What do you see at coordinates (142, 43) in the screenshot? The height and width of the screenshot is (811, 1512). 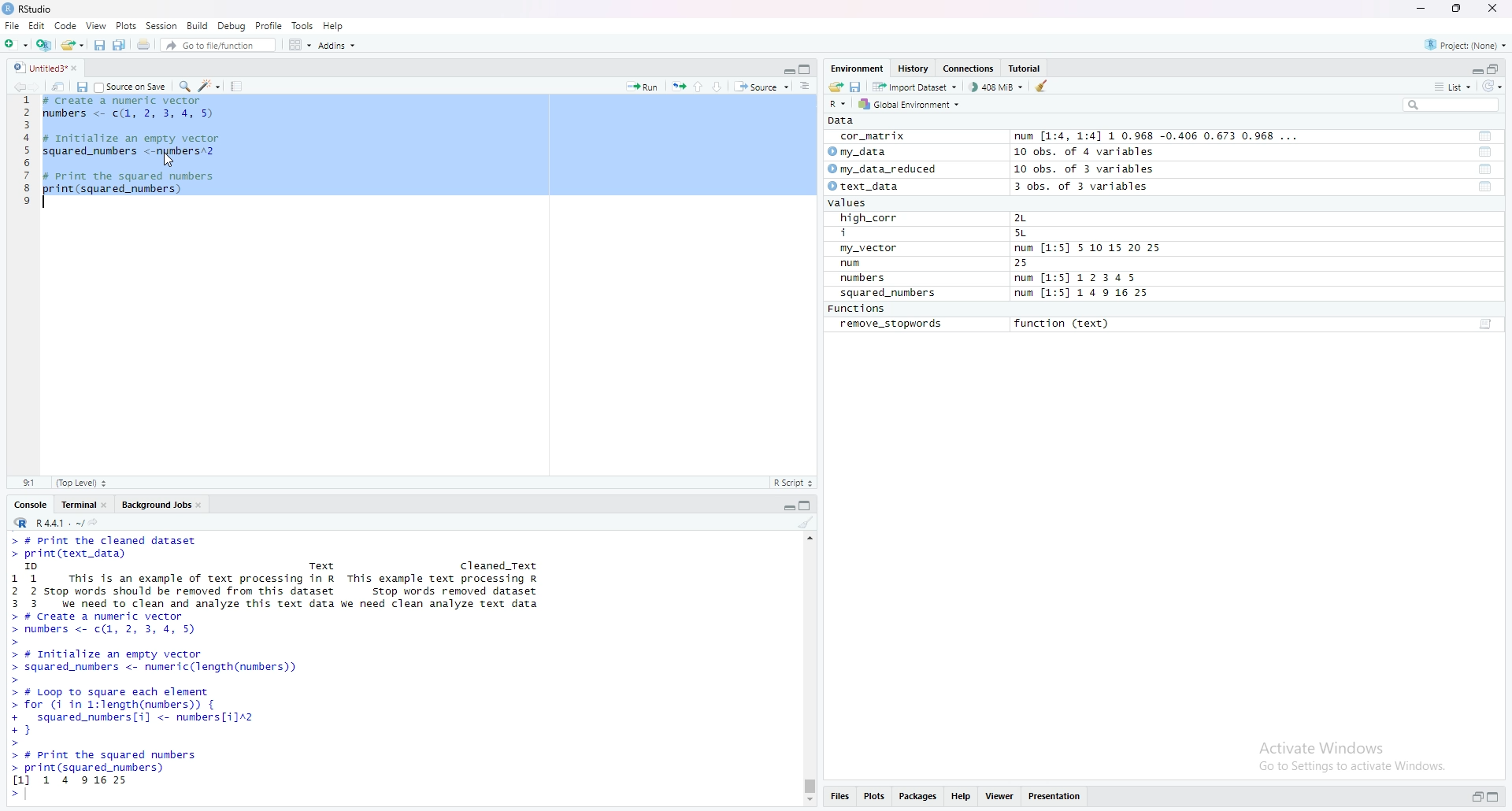 I see `Print the current file` at bounding box center [142, 43].